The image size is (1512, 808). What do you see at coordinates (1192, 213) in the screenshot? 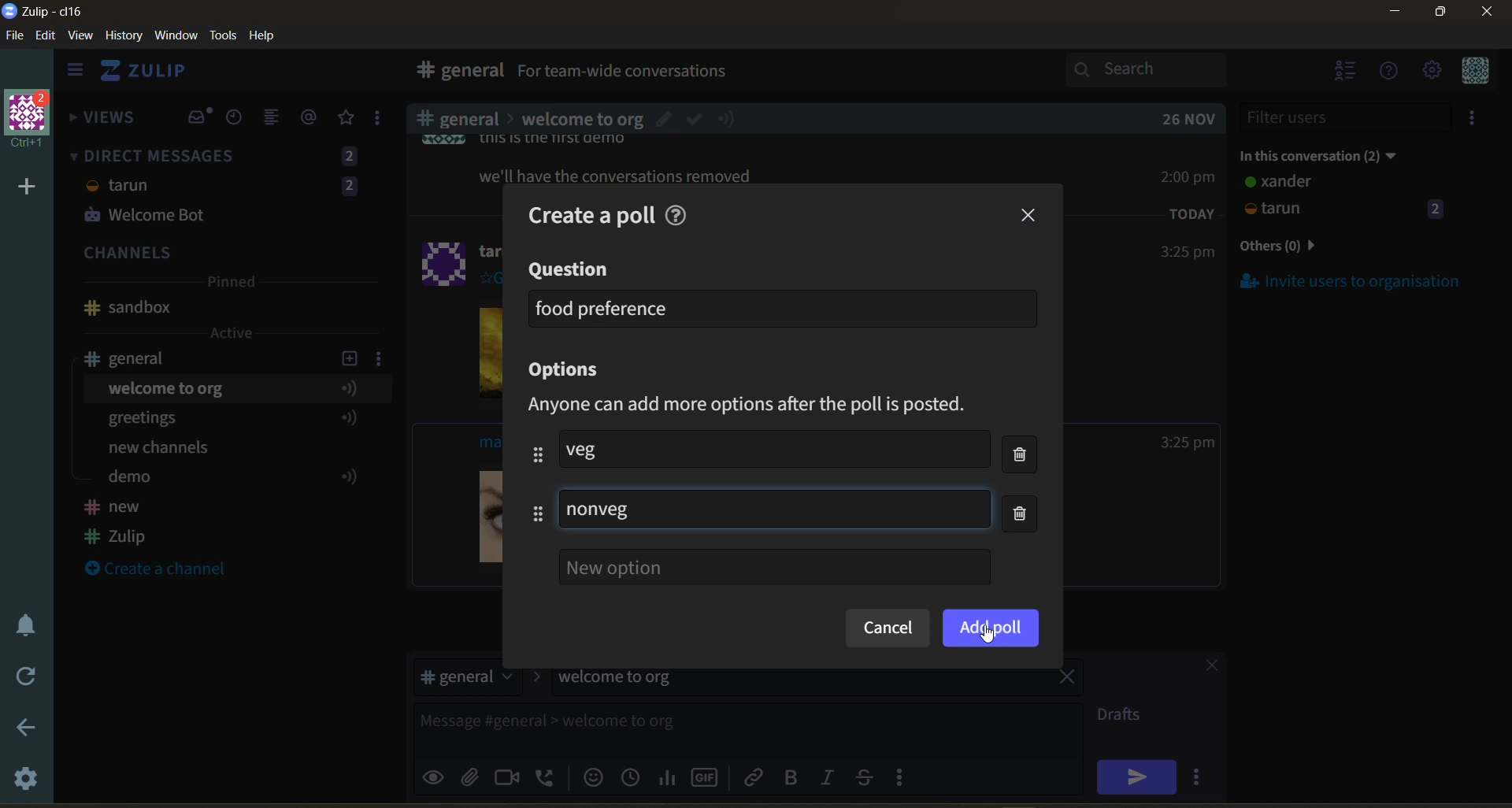
I see `today` at bounding box center [1192, 213].